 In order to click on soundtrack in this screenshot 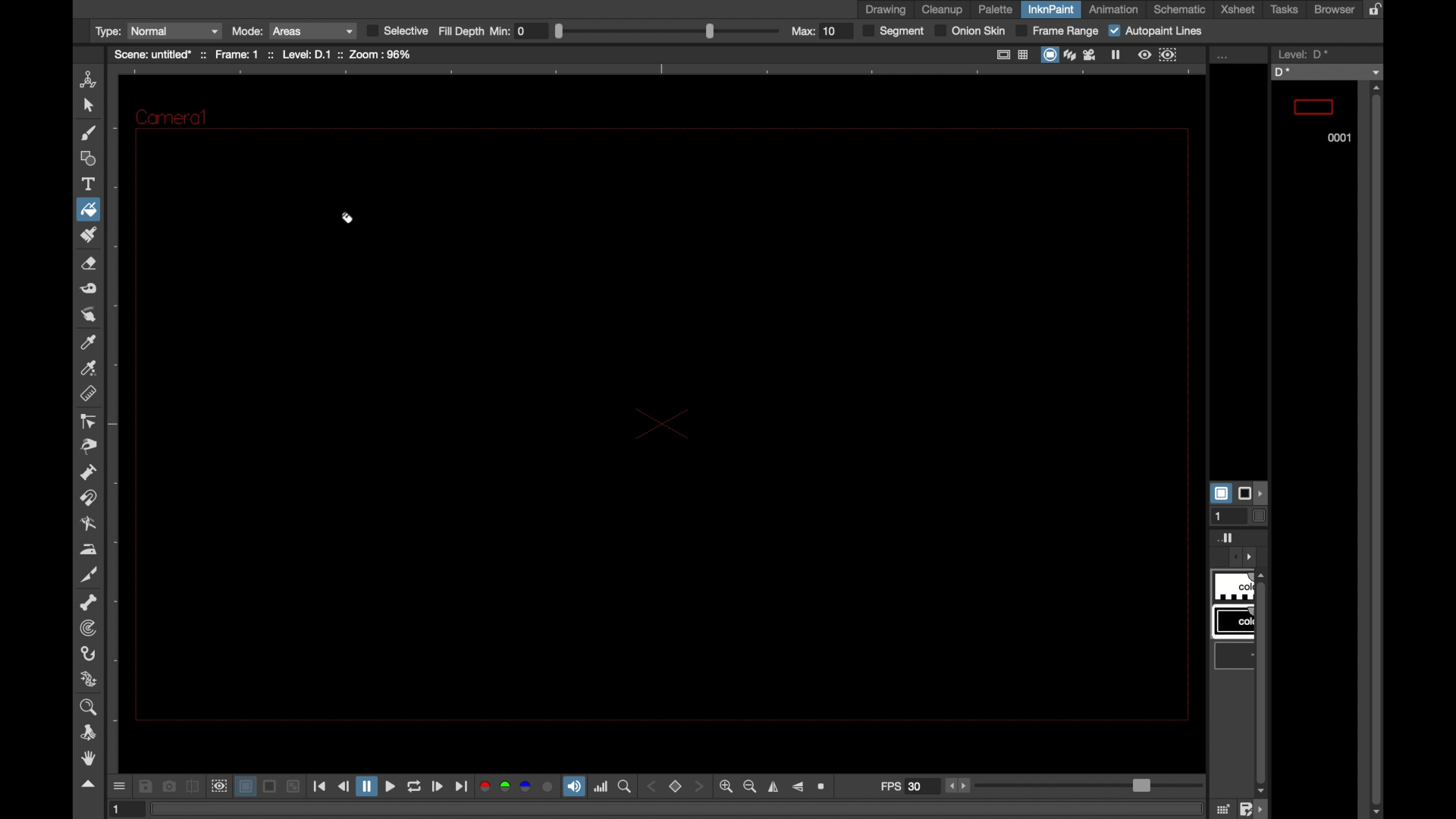, I will do `click(573, 786)`.